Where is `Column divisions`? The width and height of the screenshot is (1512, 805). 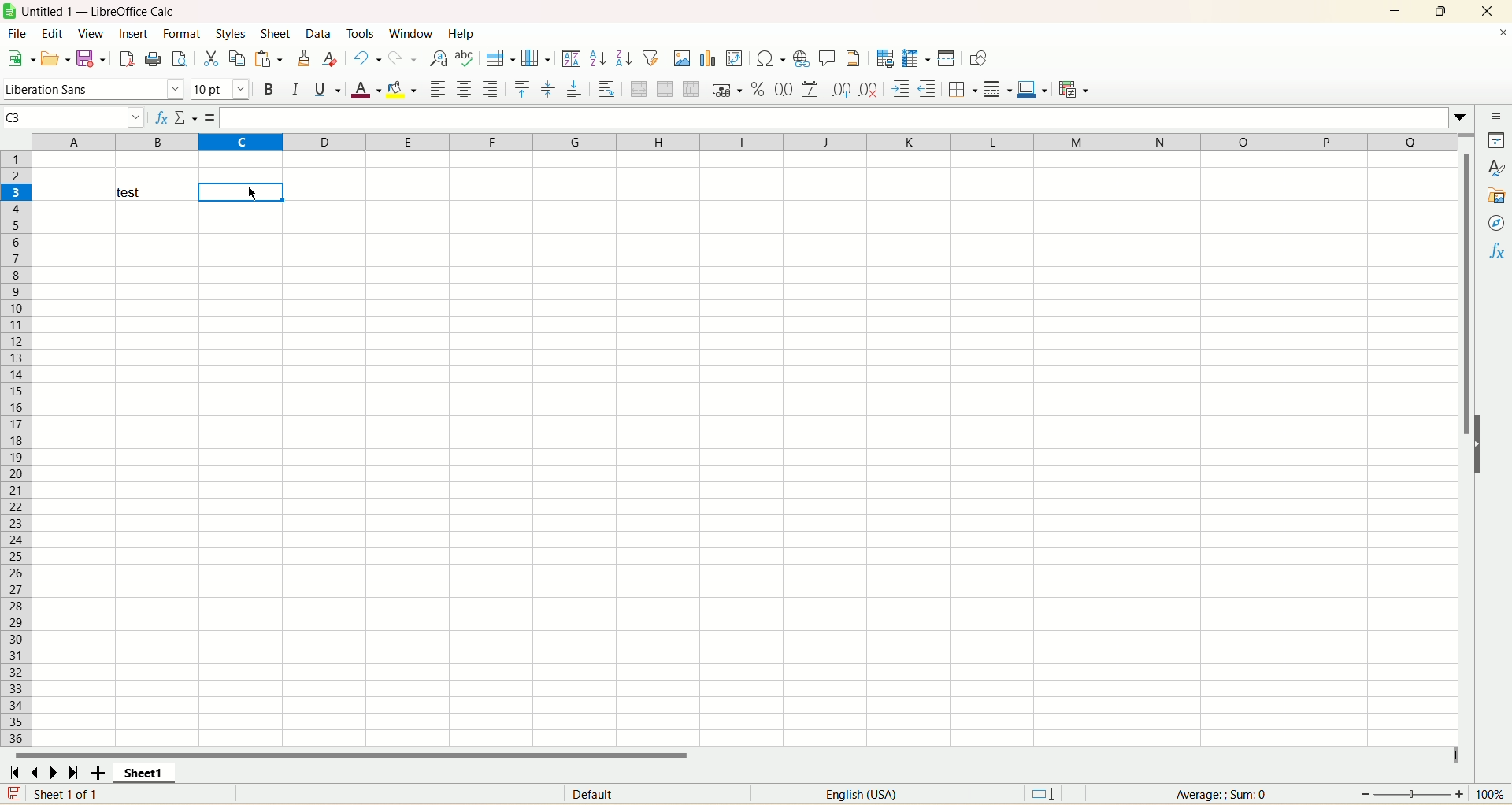
Column divisions is located at coordinates (114, 142).